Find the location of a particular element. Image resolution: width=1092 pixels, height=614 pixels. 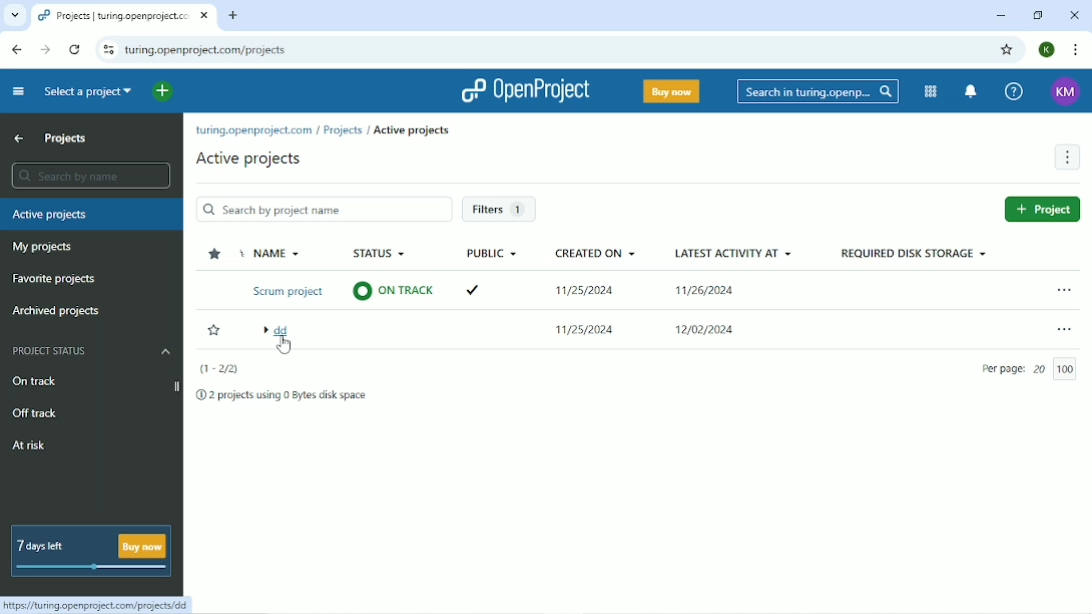

Status is located at coordinates (396, 277).